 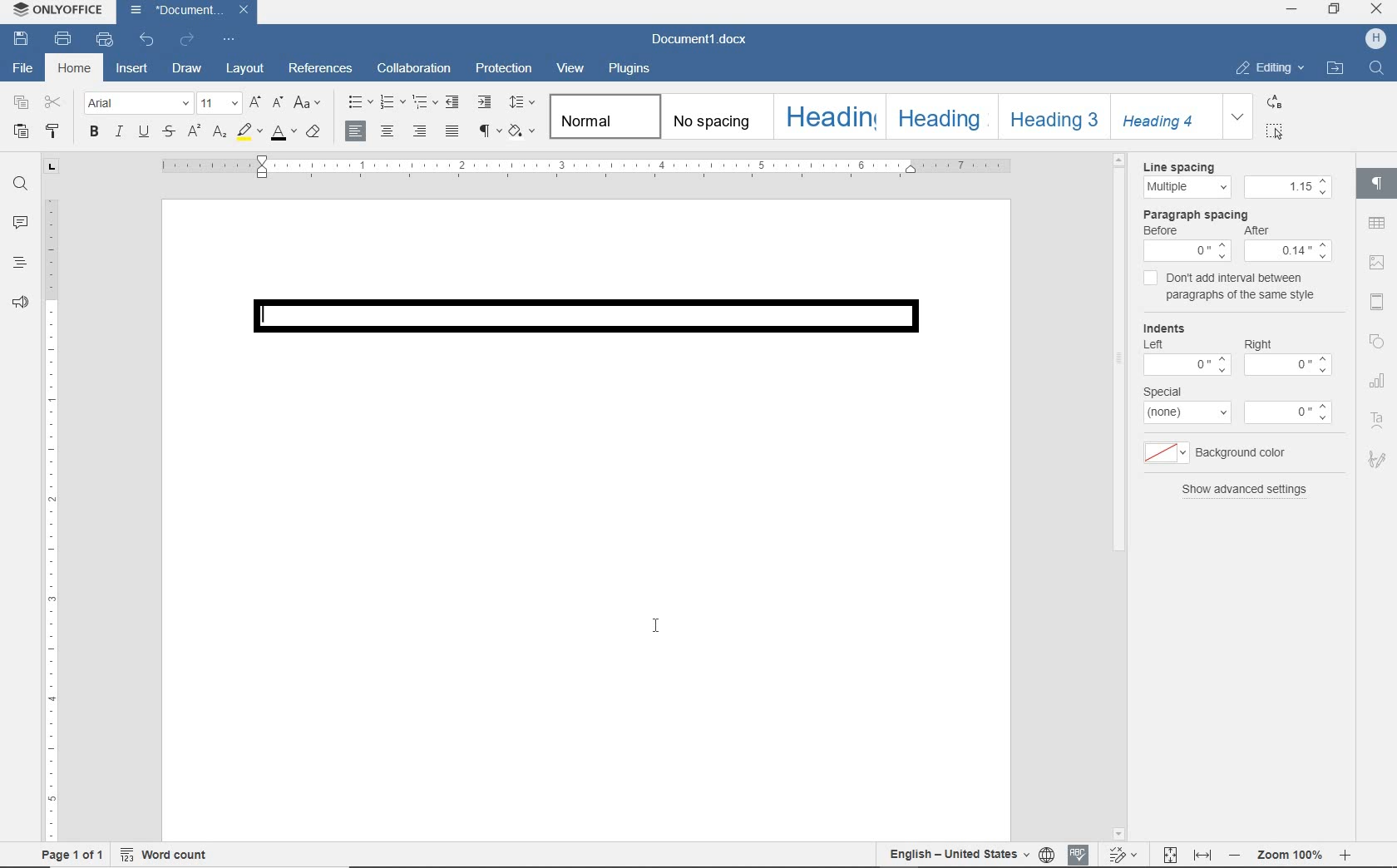 What do you see at coordinates (148, 42) in the screenshot?
I see `undo` at bounding box center [148, 42].